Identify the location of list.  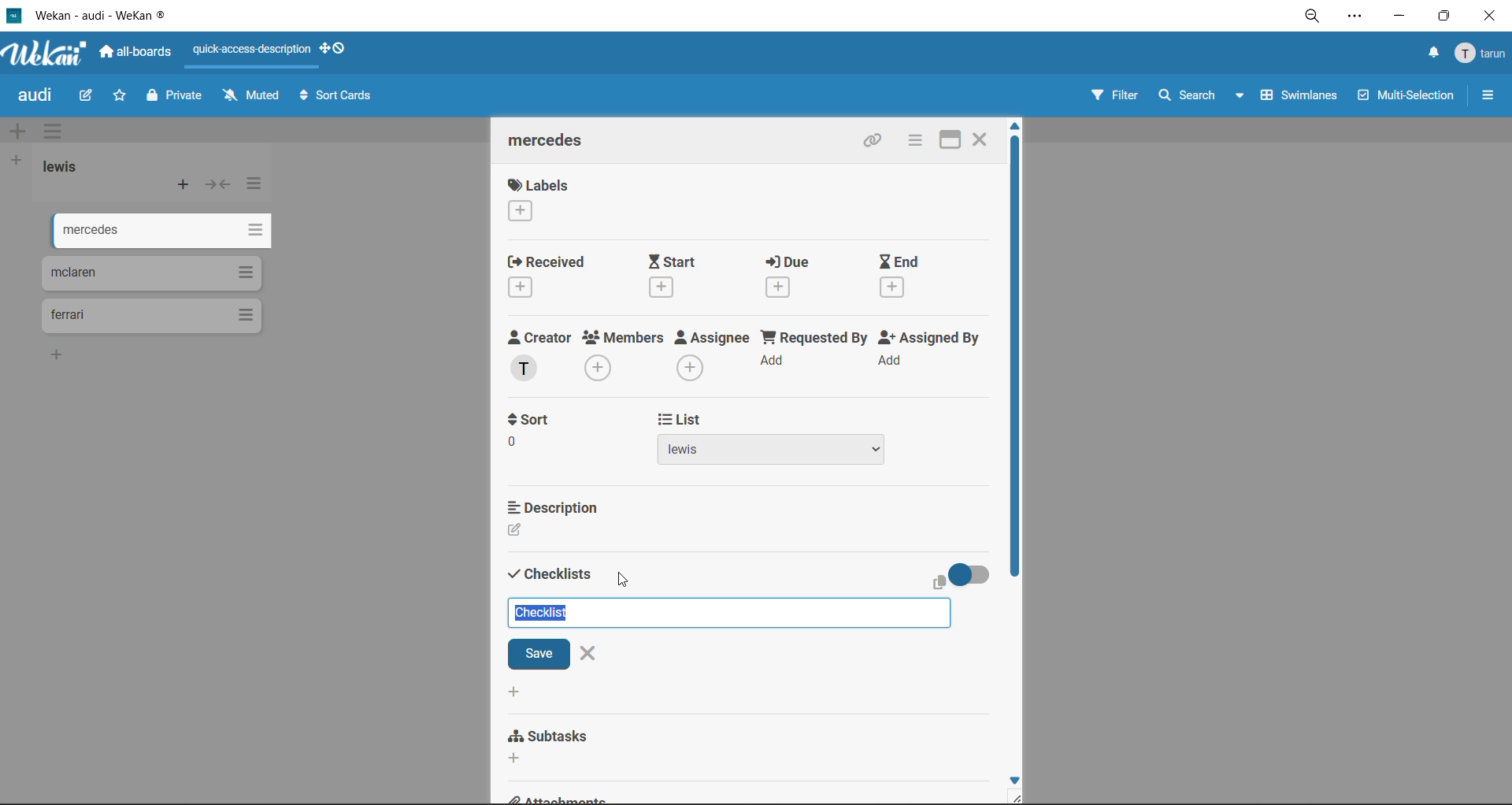
(678, 418).